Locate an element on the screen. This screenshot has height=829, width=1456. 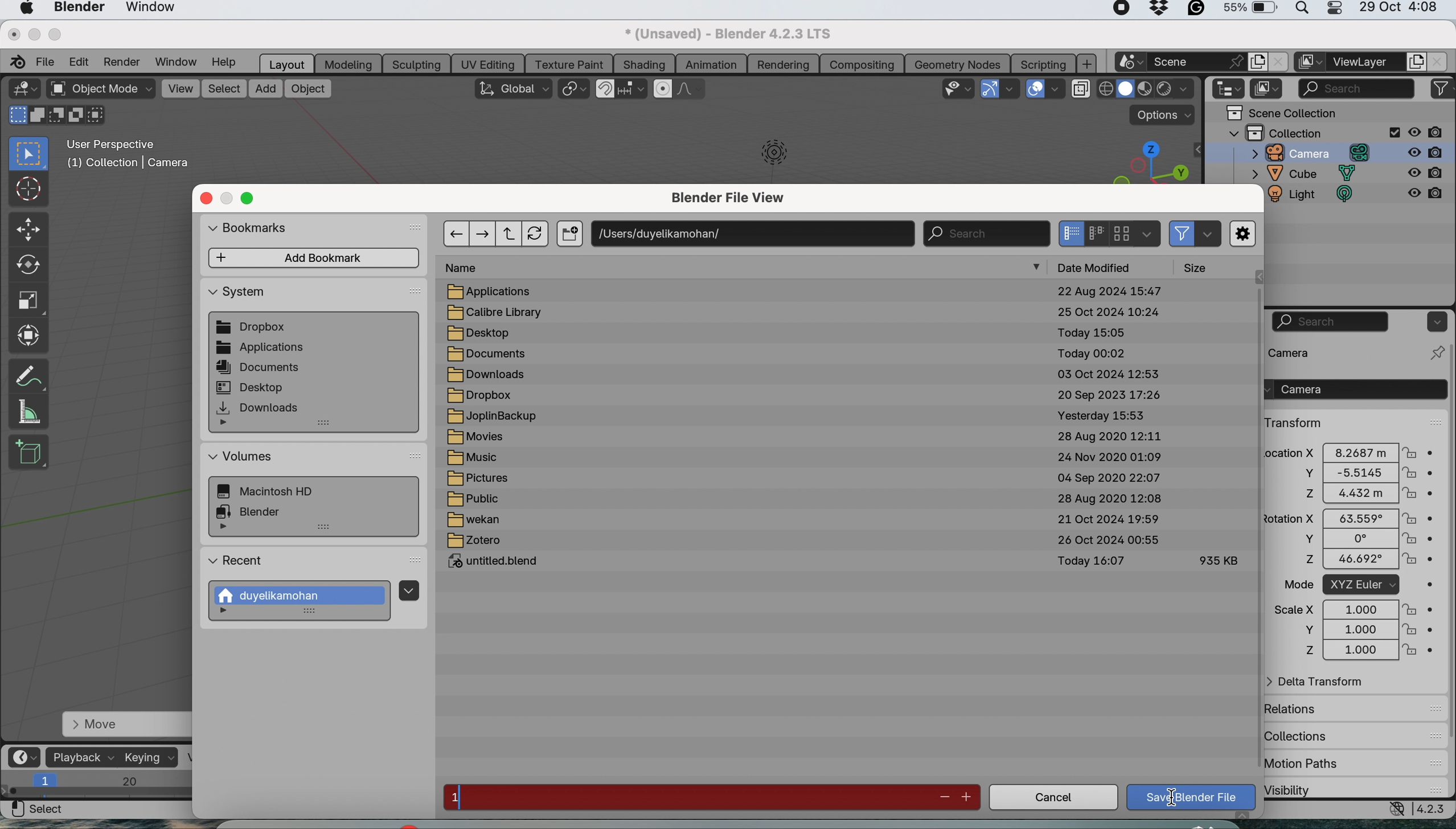
toggle x ray is located at coordinates (1080, 91).